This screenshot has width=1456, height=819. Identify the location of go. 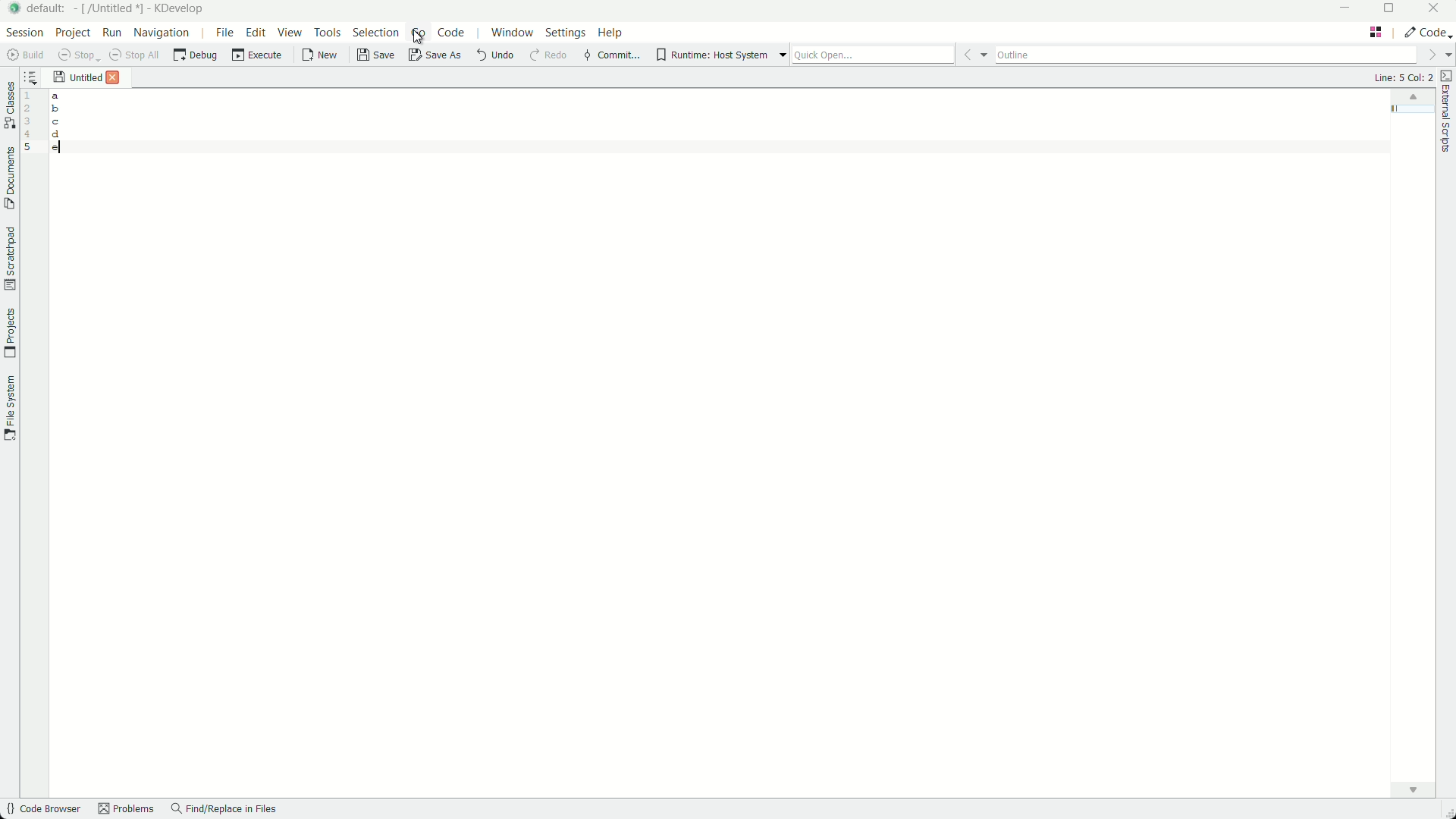
(417, 35).